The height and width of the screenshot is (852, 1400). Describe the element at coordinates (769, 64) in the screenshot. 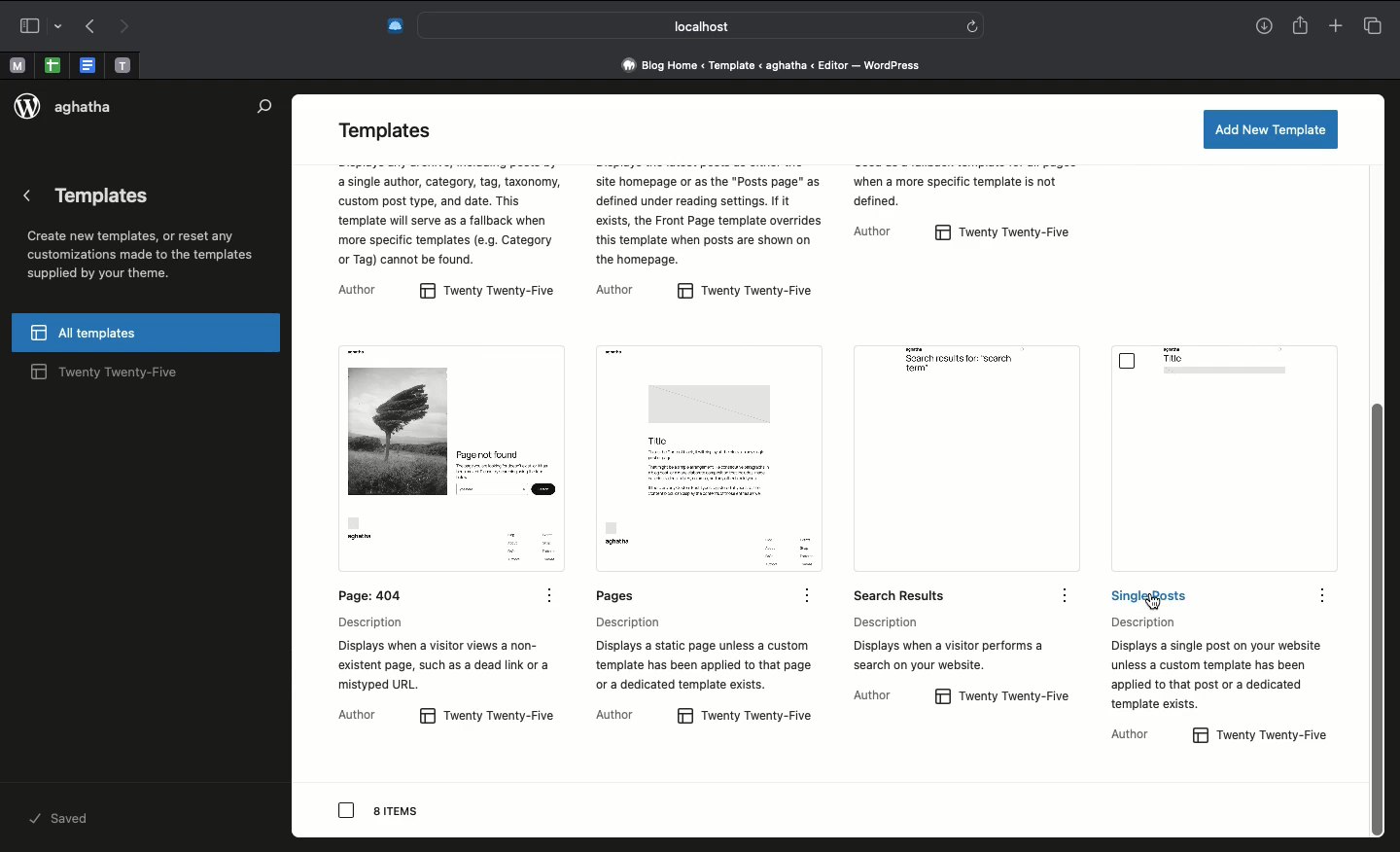

I see `Address` at that location.